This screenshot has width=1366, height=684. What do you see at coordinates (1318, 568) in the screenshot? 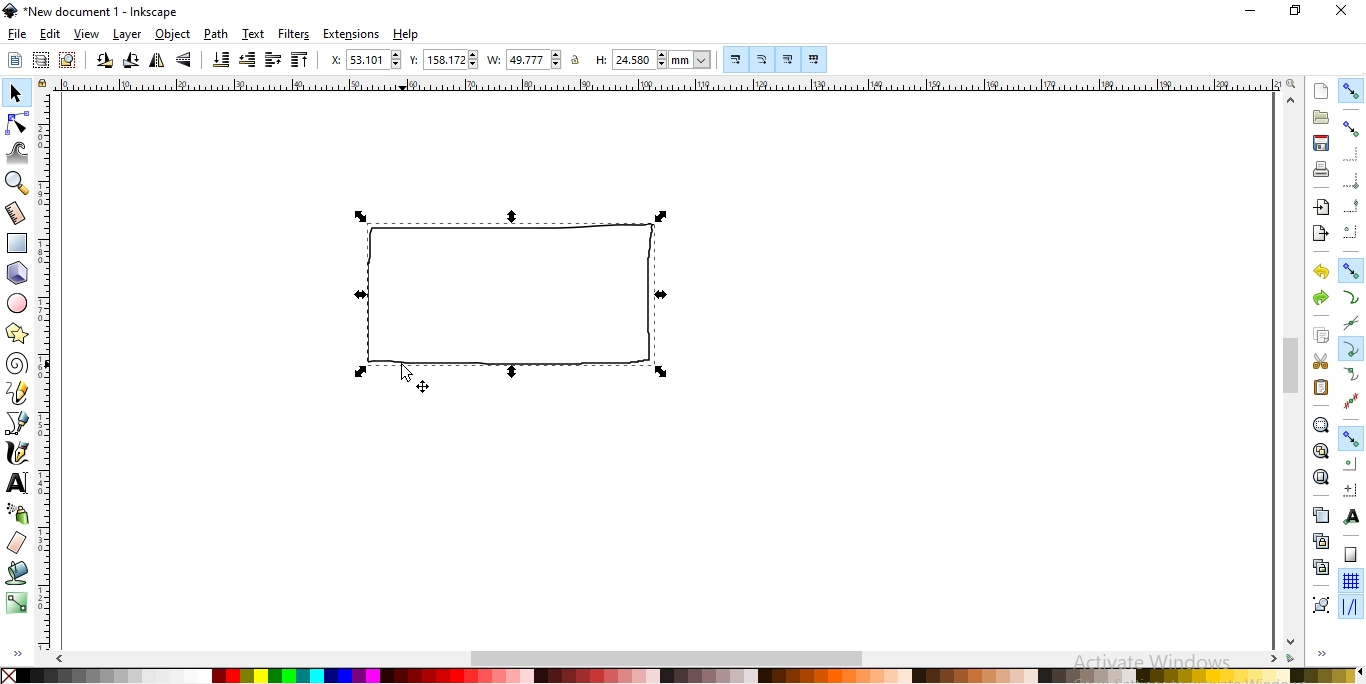
I see `cut the selected clones links to the objects` at bounding box center [1318, 568].